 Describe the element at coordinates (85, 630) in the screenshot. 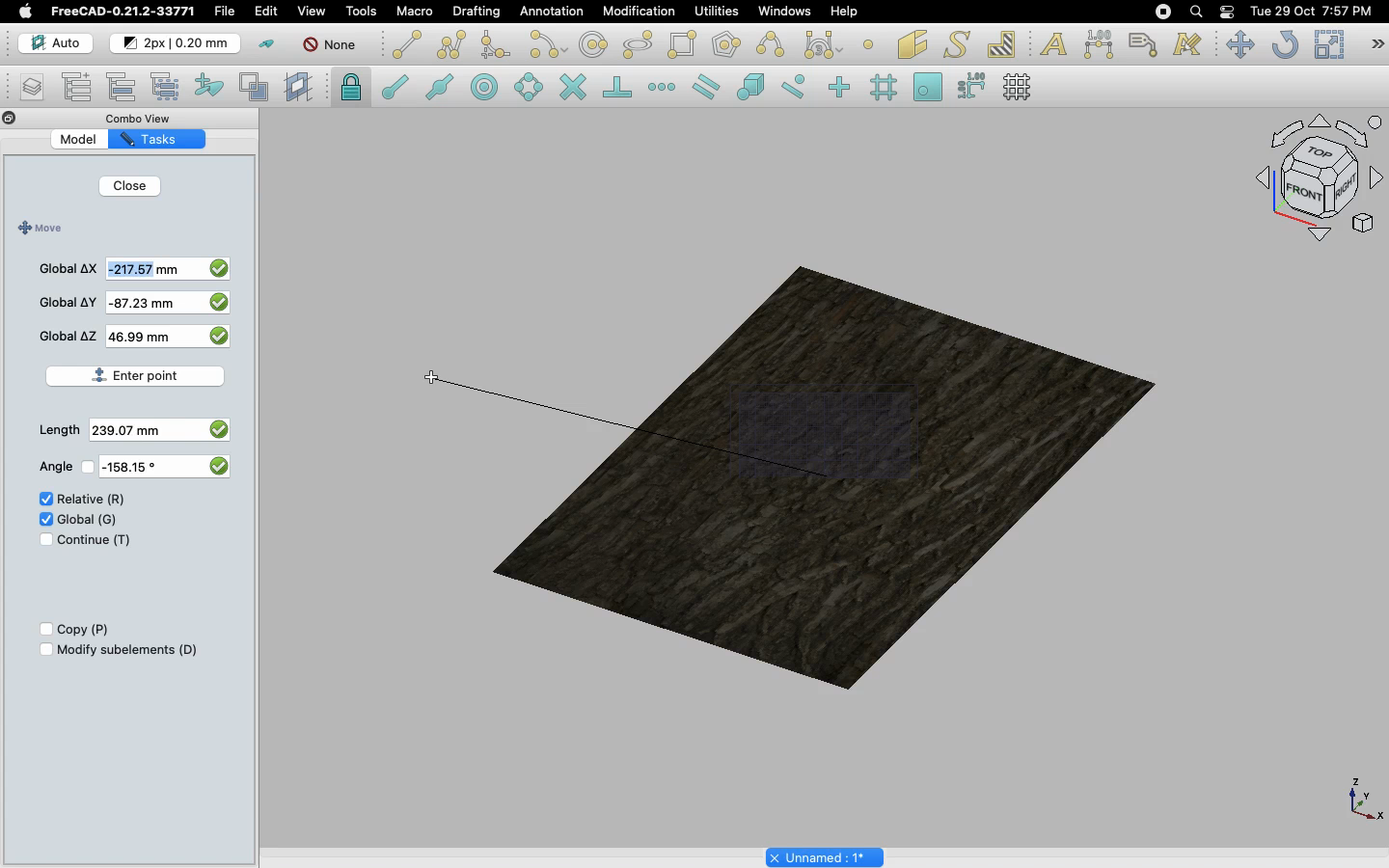

I see `Copy` at that location.